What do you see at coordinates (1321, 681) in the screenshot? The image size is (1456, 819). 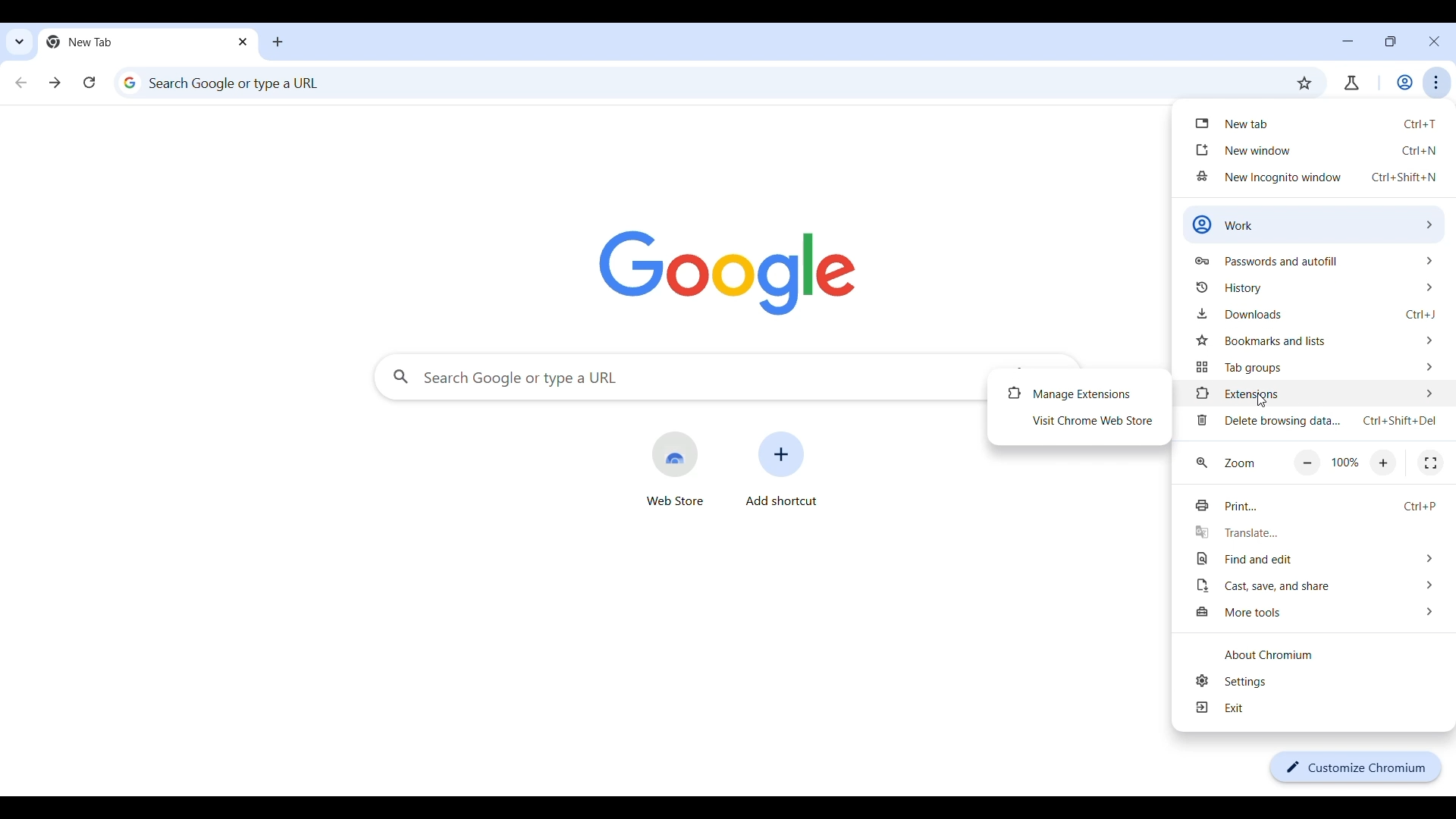 I see `Settings` at bounding box center [1321, 681].